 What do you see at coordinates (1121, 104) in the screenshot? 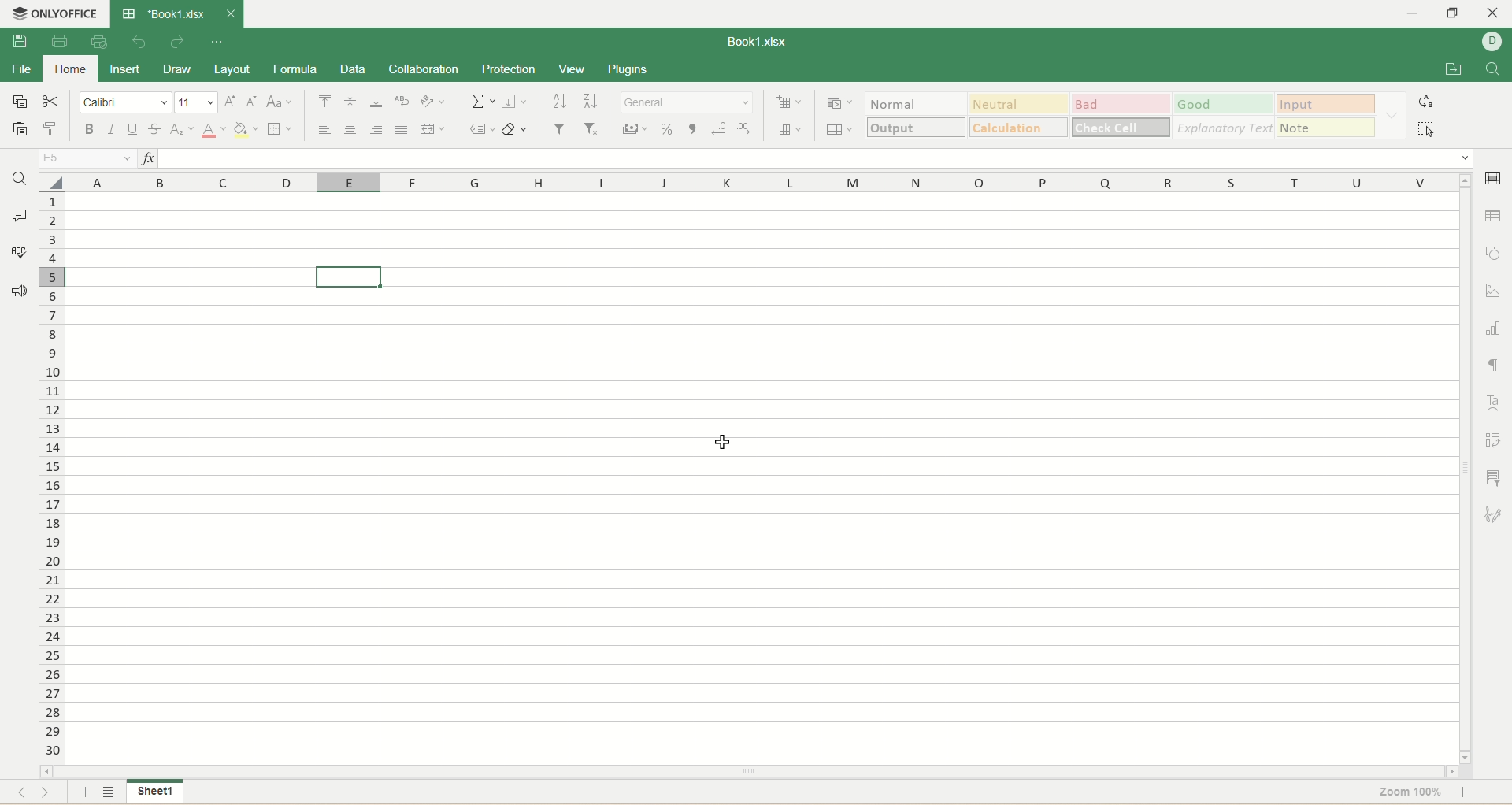
I see `bad` at bounding box center [1121, 104].